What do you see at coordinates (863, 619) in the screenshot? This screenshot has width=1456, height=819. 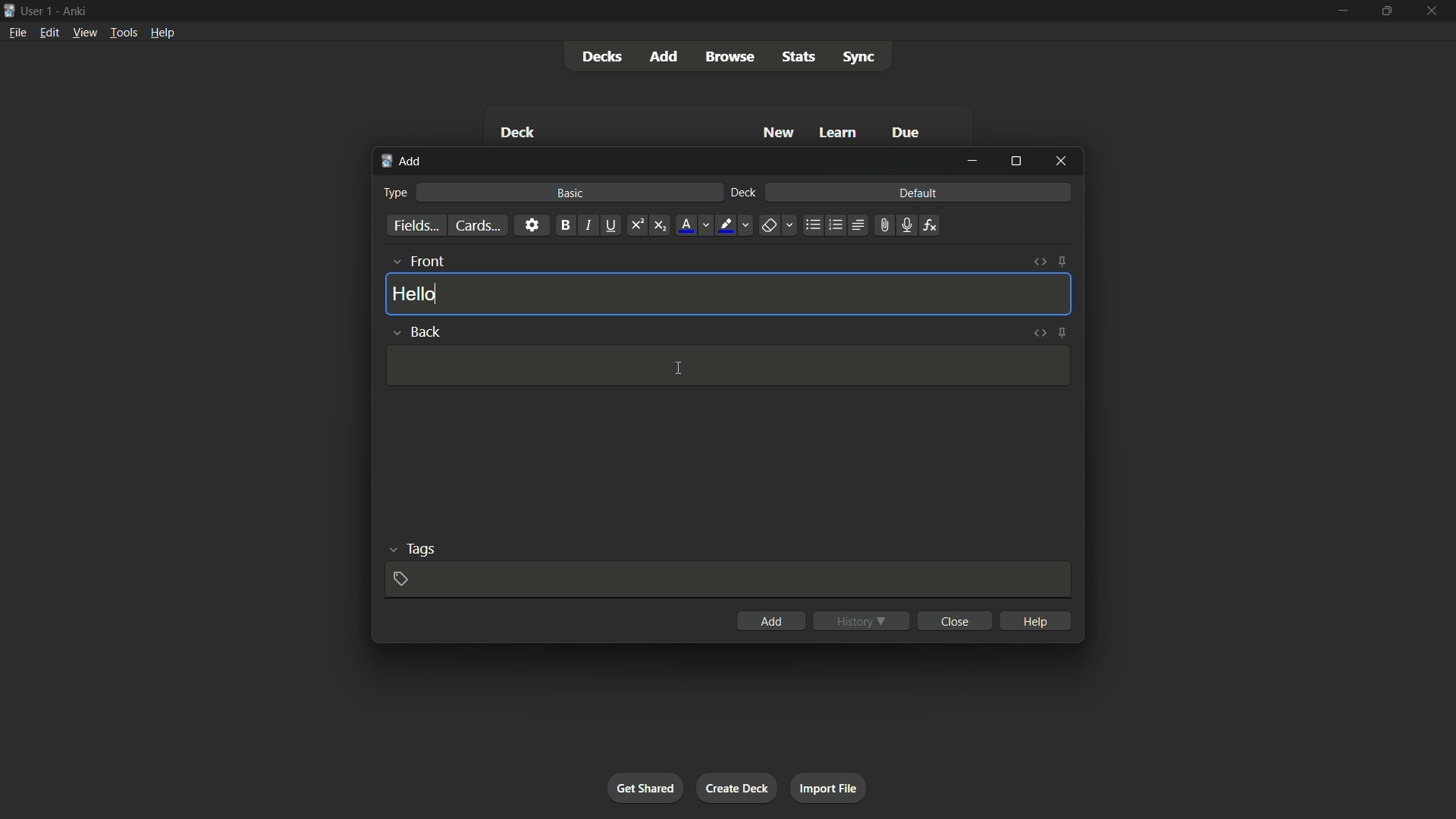 I see `history` at bounding box center [863, 619].